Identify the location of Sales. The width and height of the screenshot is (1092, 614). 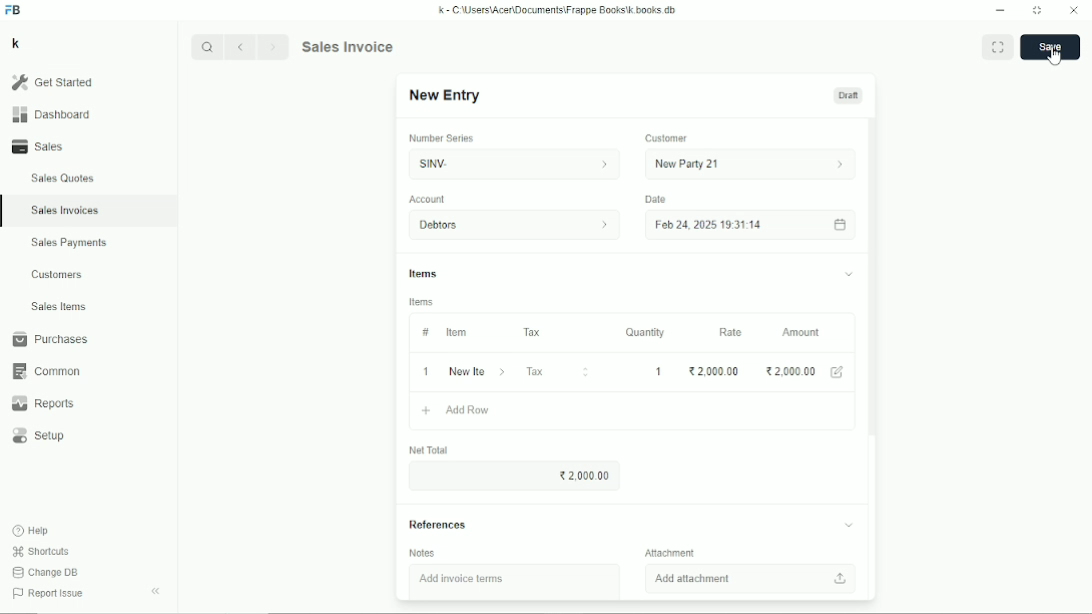
(41, 146).